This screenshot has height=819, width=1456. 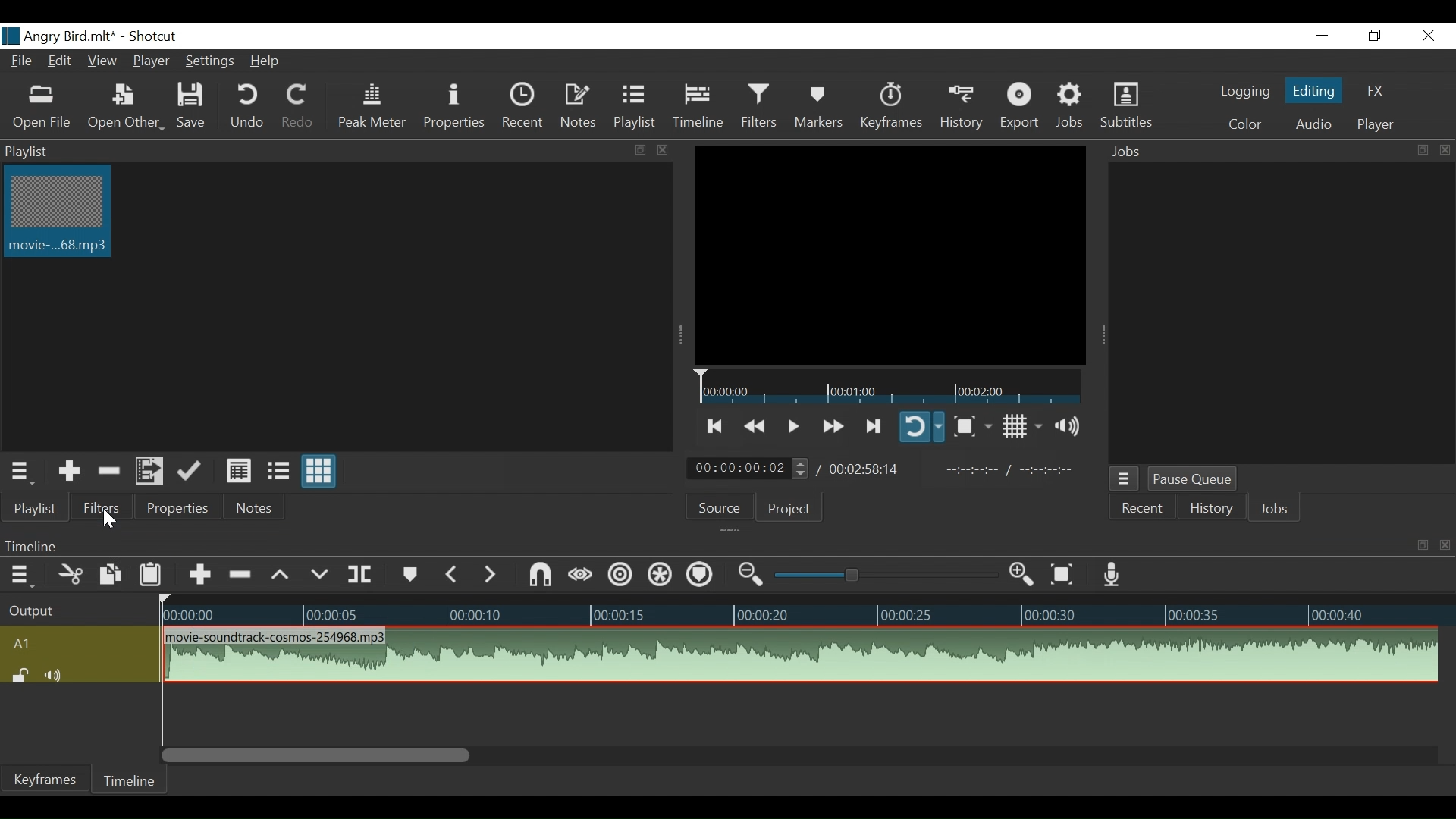 I want to click on Filters, so click(x=99, y=507).